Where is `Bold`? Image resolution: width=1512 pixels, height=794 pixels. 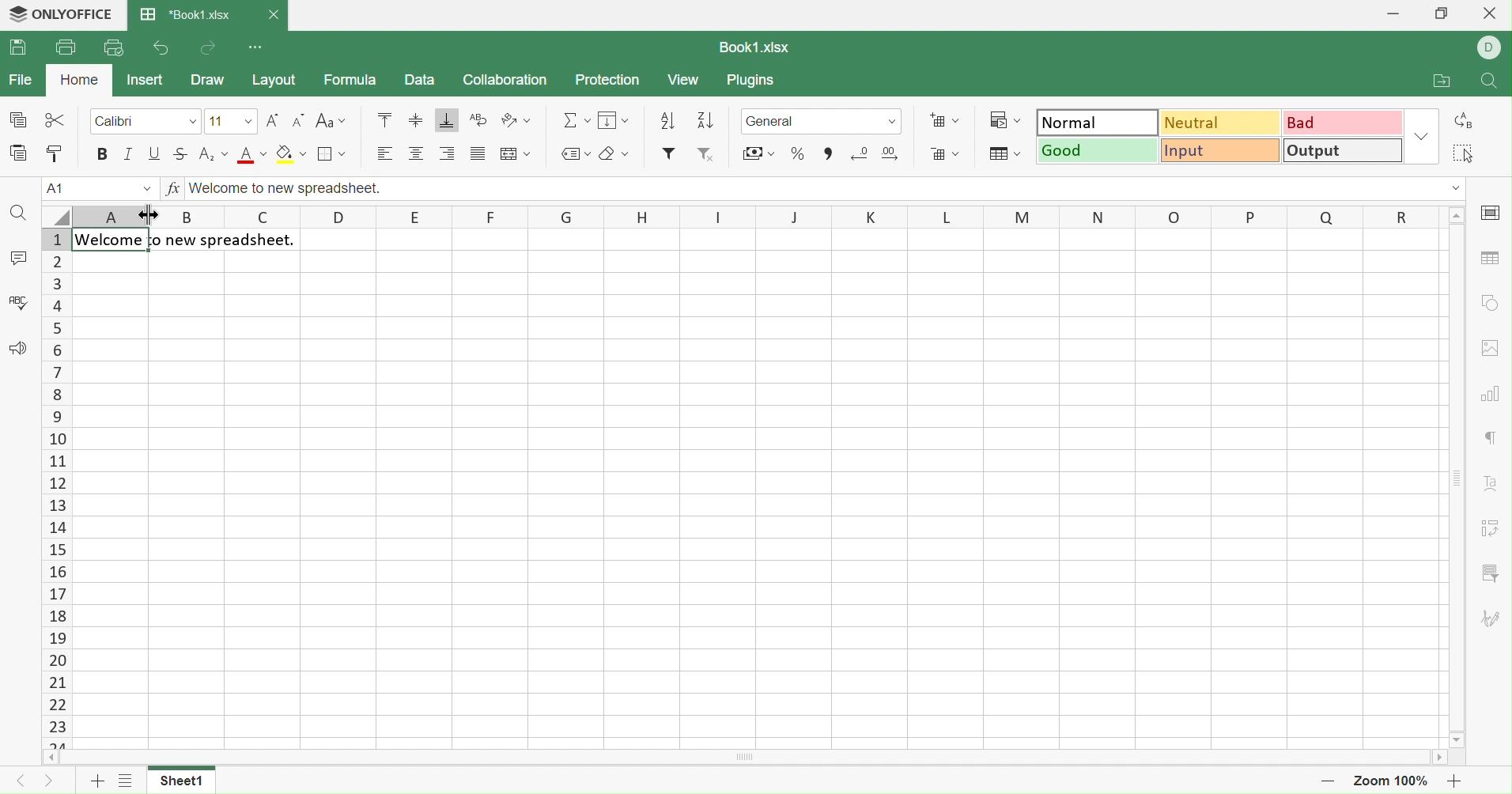
Bold is located at coordinates (103, 153).